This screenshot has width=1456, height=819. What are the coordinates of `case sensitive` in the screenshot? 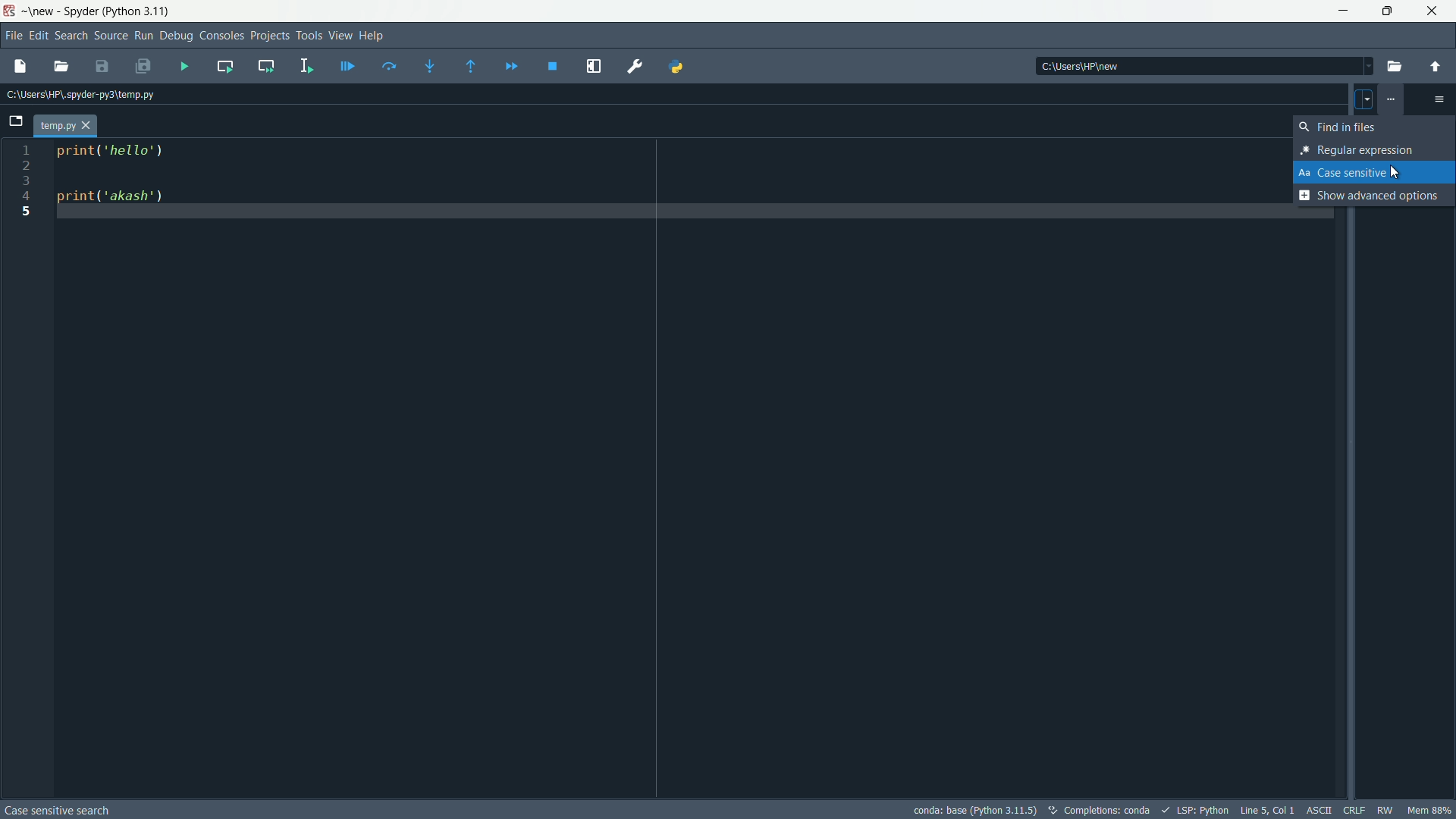 It's located at (1347, 172).